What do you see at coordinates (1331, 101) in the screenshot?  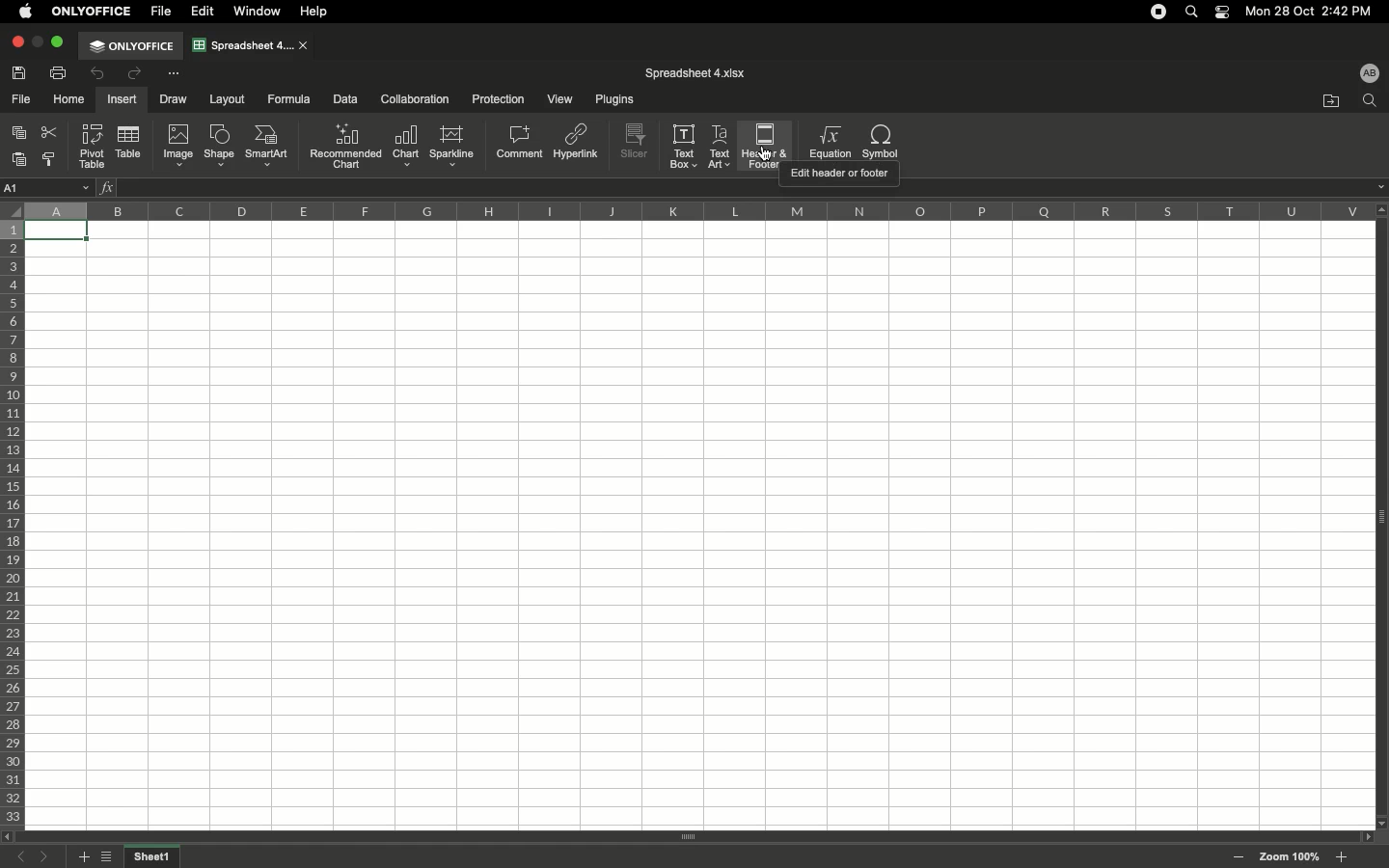 I see `Open file location` at bounding box center [1331, 101].